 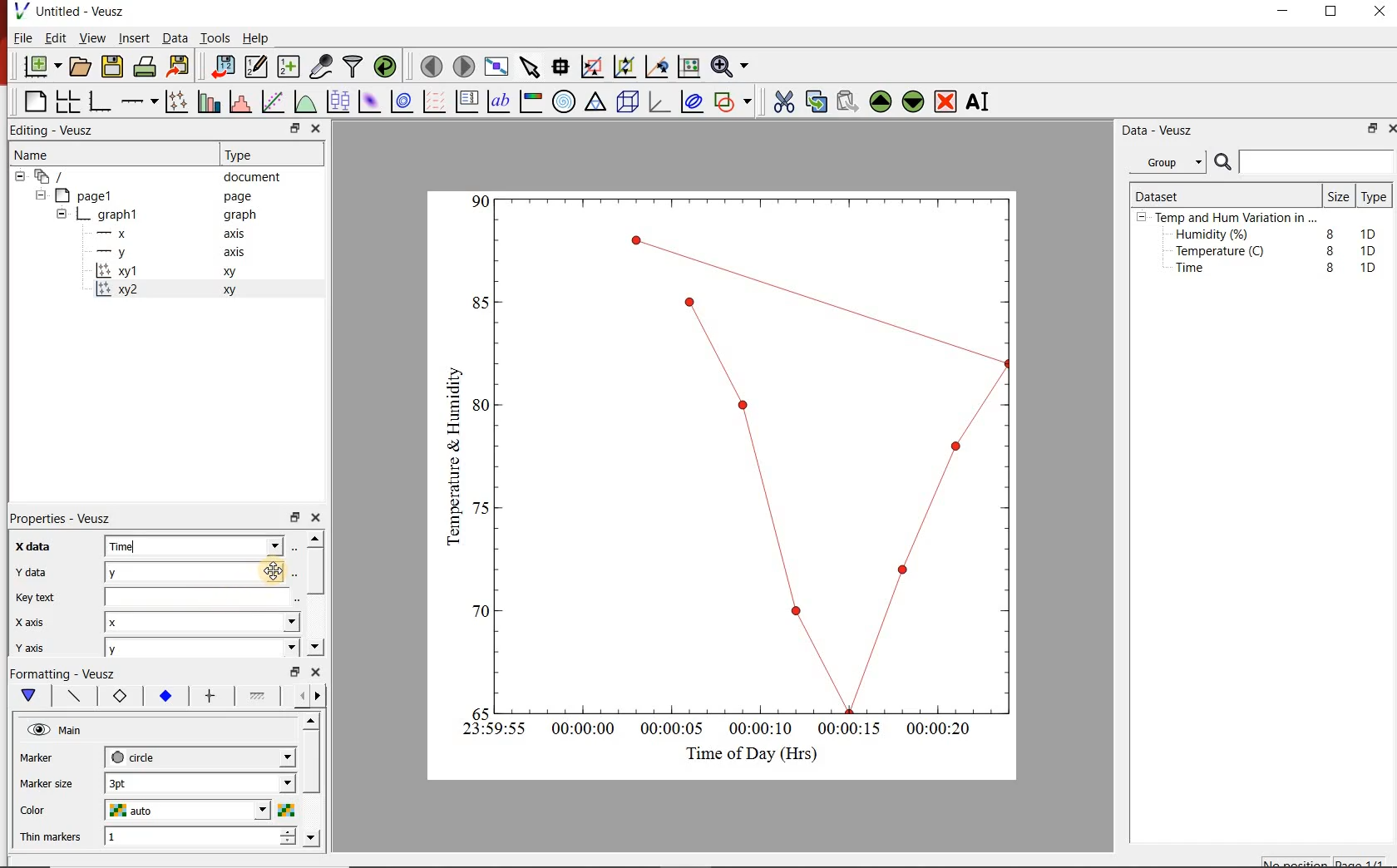 What do you see at coordinates (947, 101) in the screenshot?
I see `Remove the selected widget` at bounding box center [947, 101].